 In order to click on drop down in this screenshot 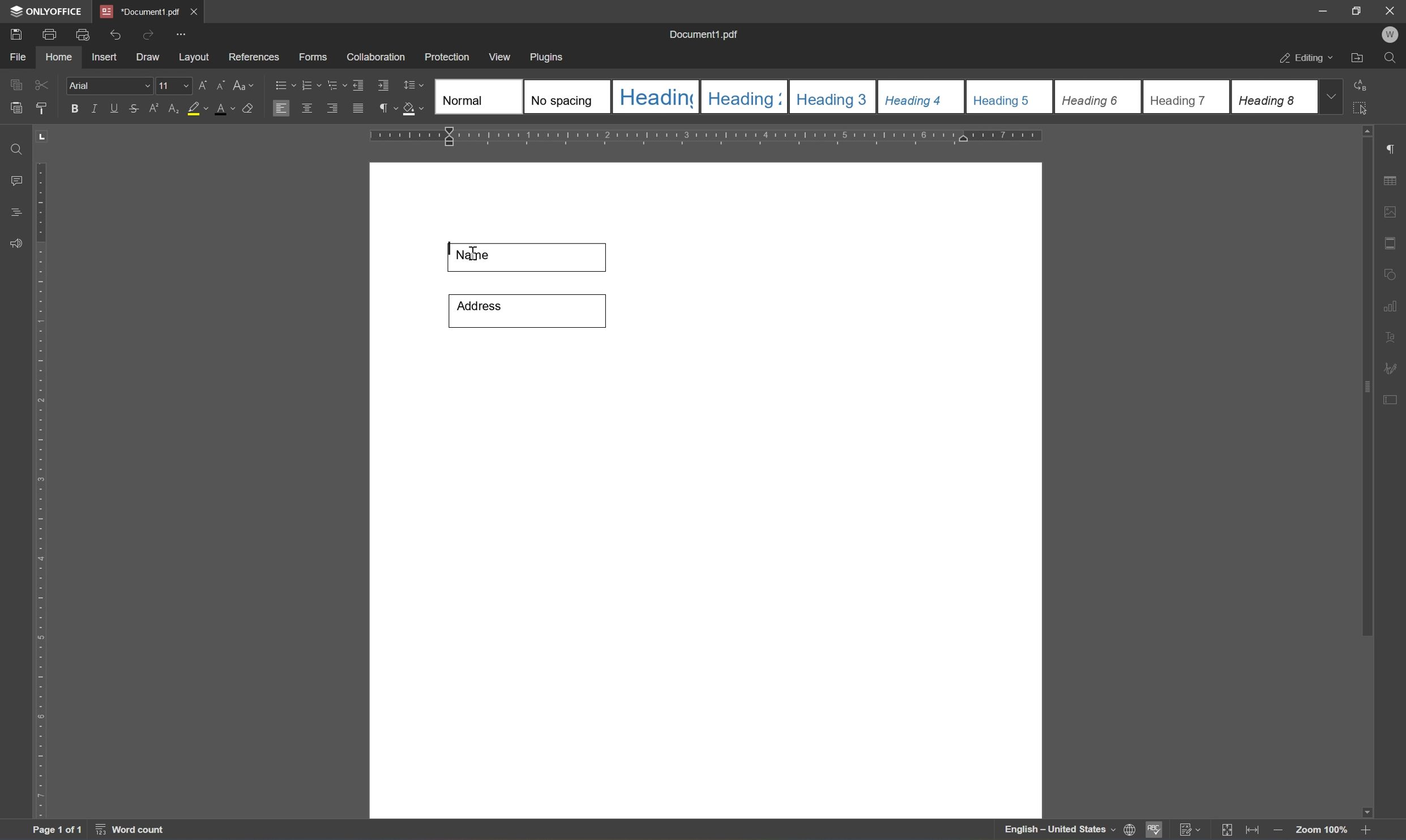, I will do `click(1335, 97)`.